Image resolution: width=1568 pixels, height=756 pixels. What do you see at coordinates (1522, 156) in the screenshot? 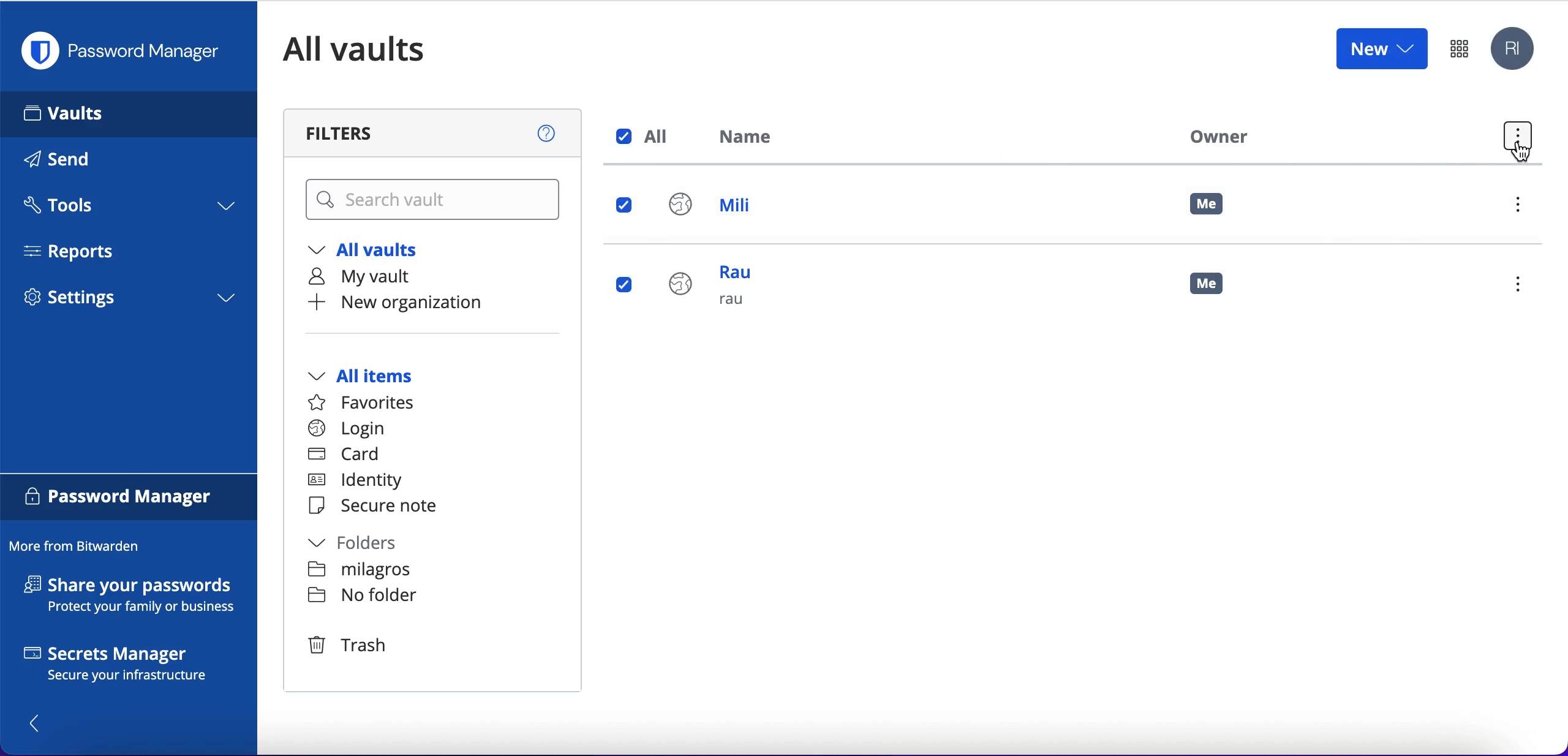
I see `cursor` at bounding box center [1522, 156].